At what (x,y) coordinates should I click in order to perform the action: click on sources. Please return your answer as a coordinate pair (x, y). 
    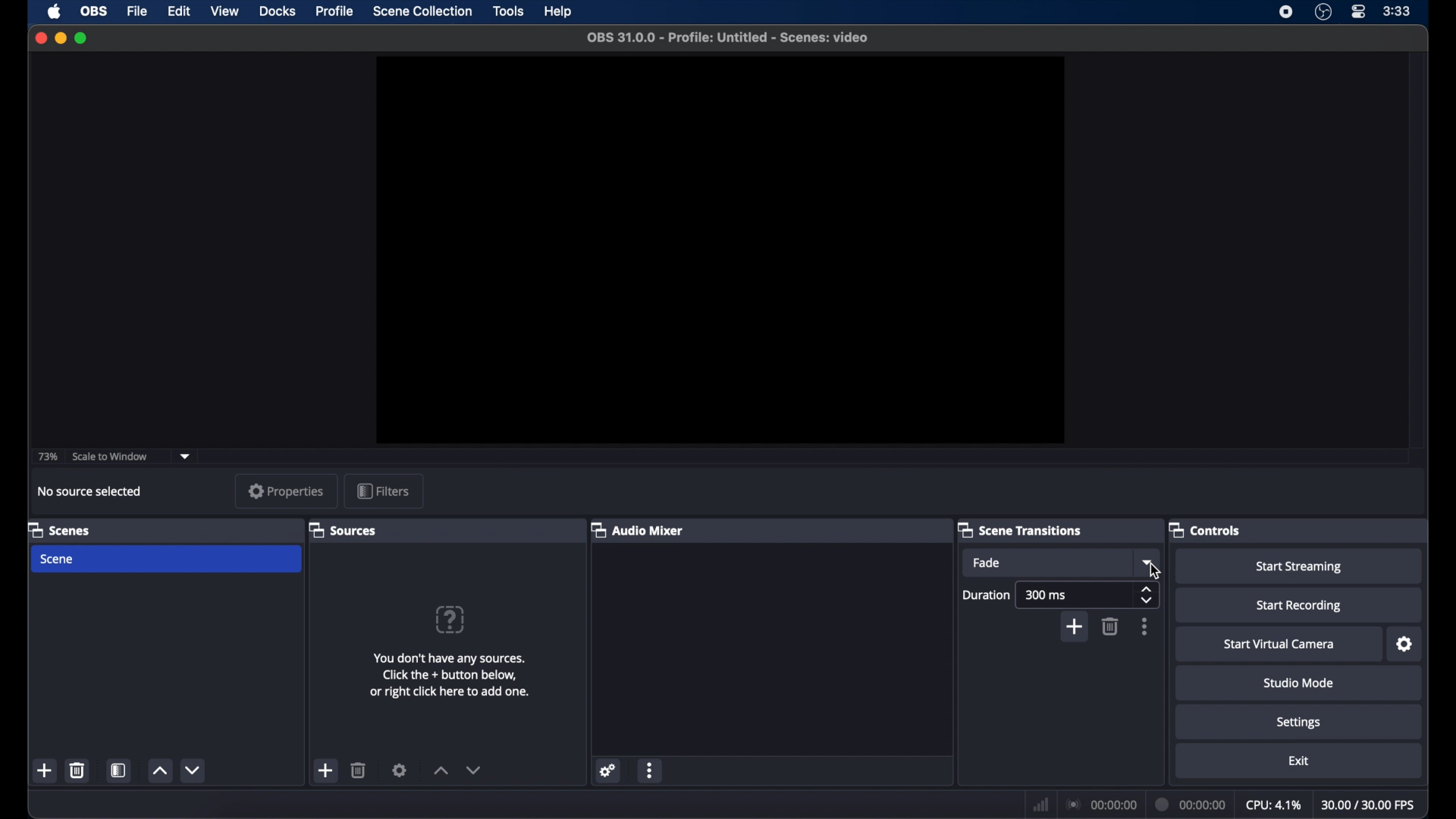
    Looking at the image, I should click on (343, 532).